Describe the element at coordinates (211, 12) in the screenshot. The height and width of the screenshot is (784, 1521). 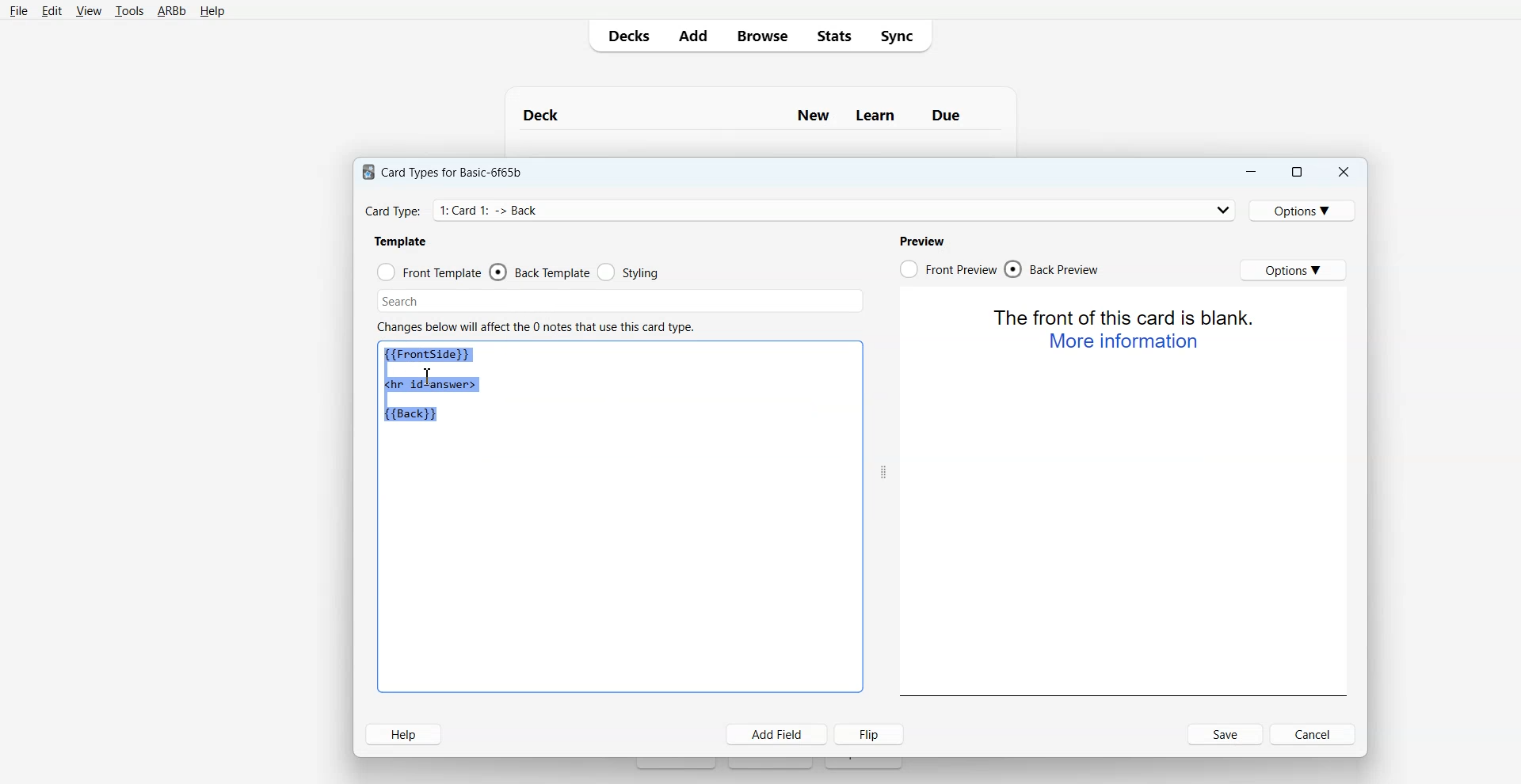
I see `Help` at that location.